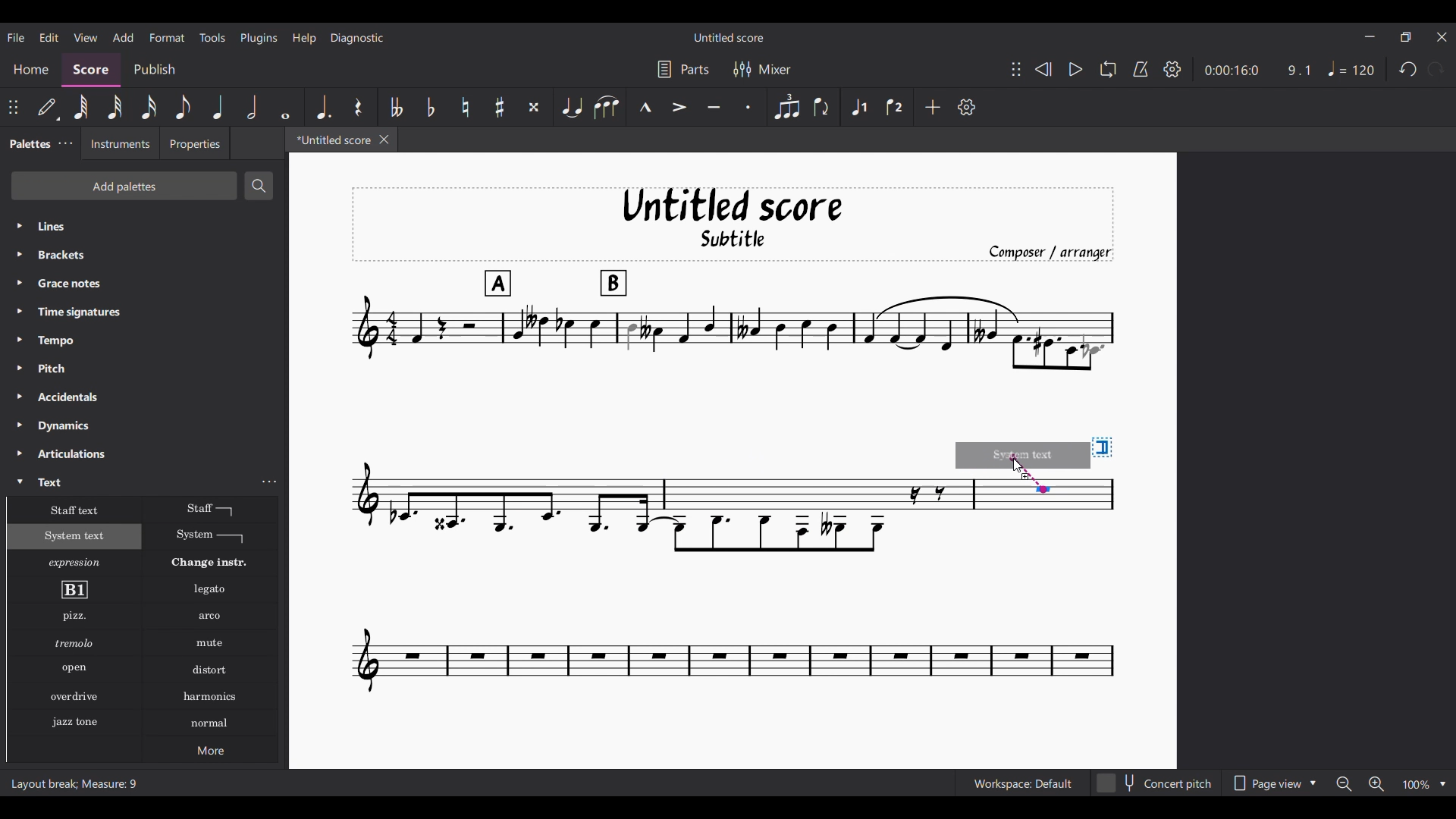 This screenshot has width=1456, height=819. What do you see at coordinates (684, 69) in the screenshot?
I see `Parts settings` at bounding box center [684, 69].